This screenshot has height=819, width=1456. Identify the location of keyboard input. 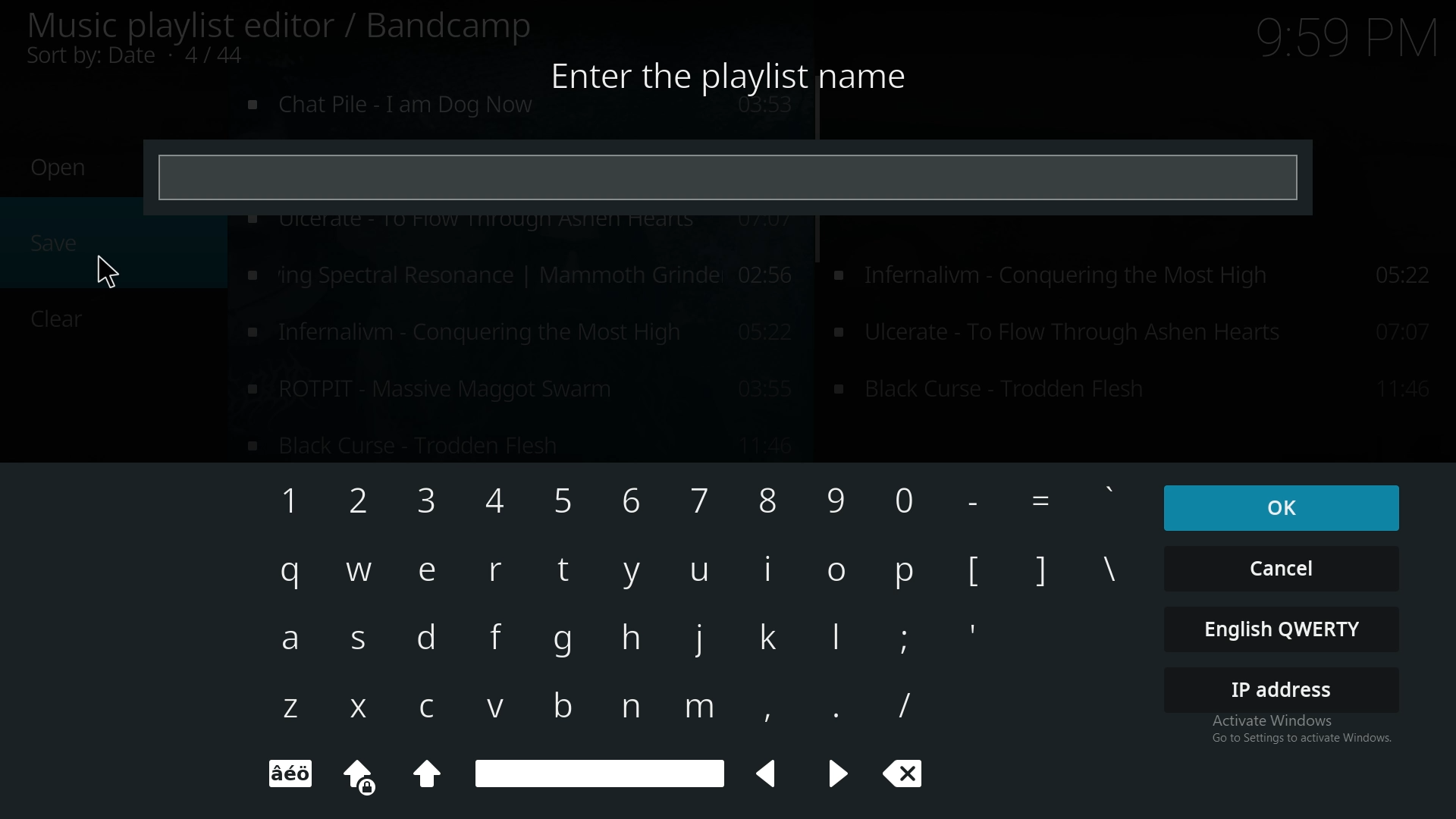
(293, 638).